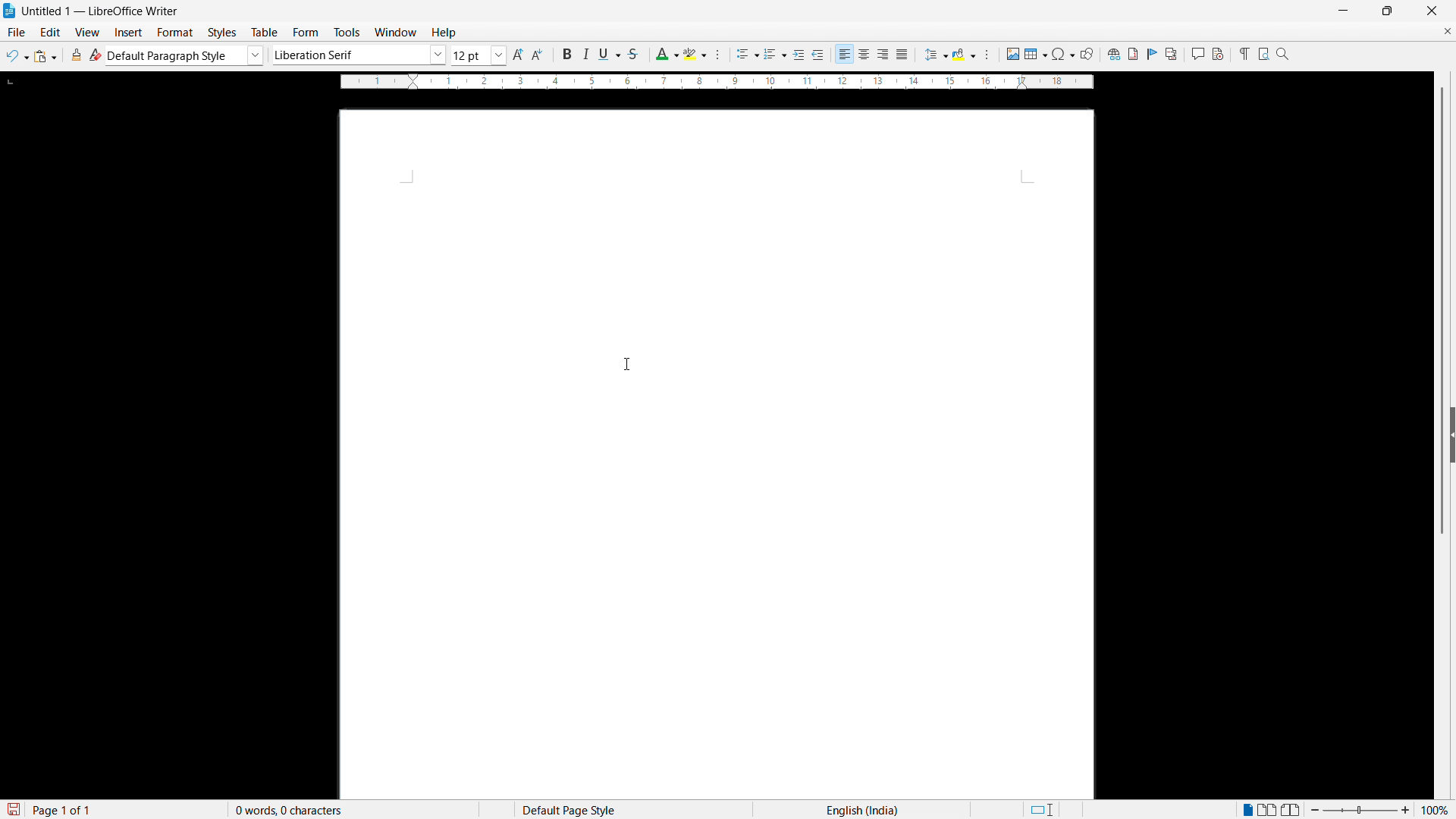  Describe the element at coordinates (12, 810) in the screenshot. I see `save ` at that location.